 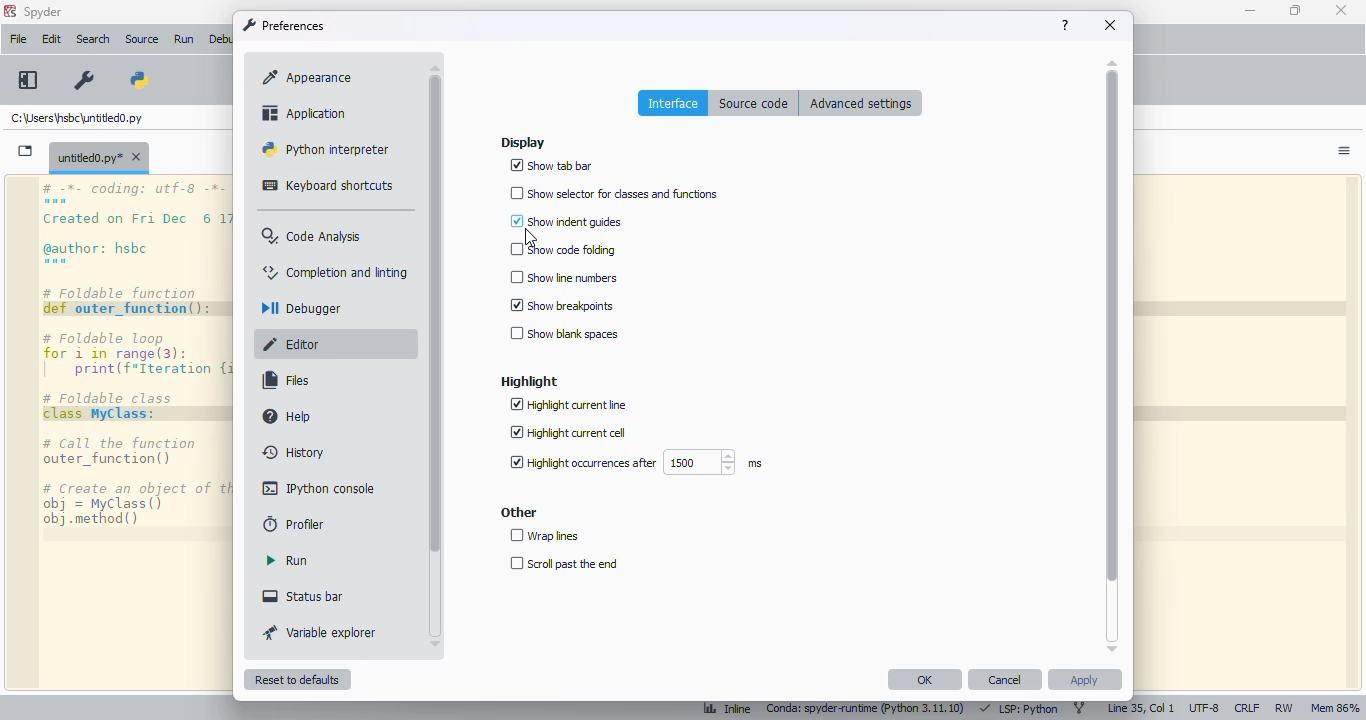 I want to click on history, so click(x=294, y=452).